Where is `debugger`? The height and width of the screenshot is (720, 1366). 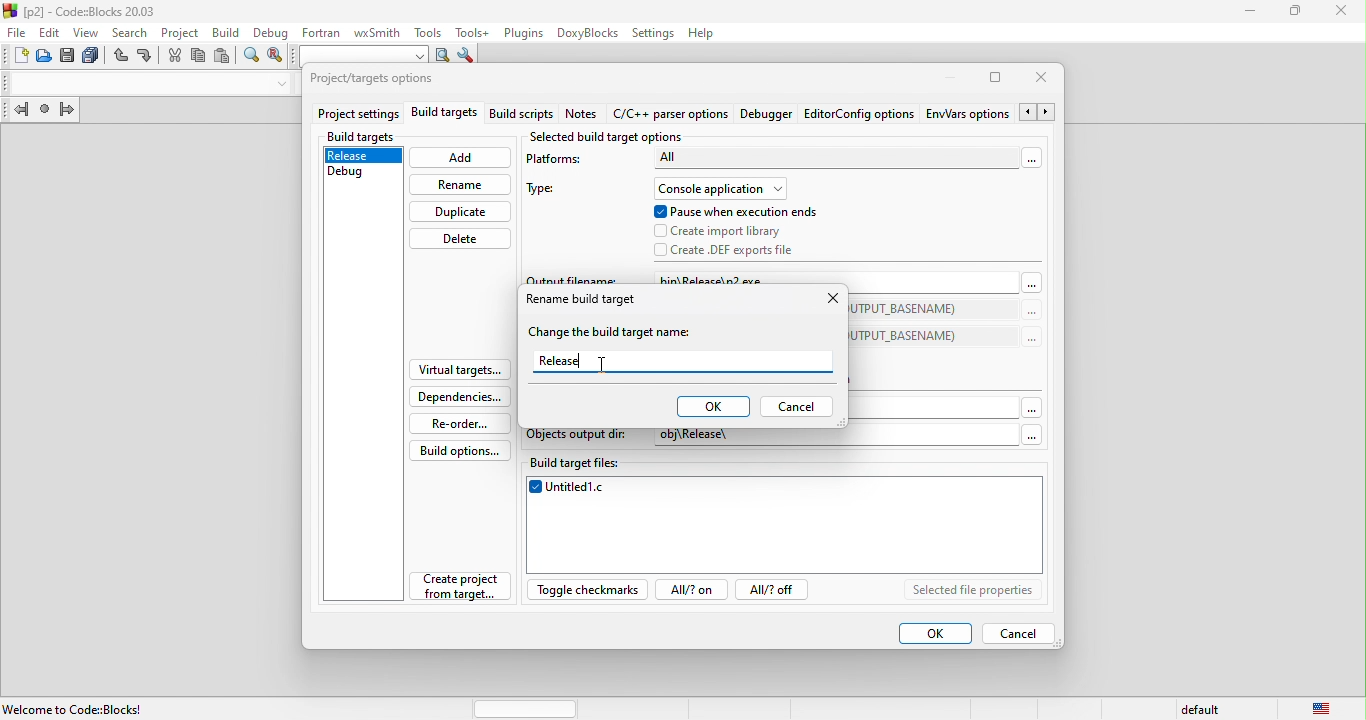 debugger is located at coordinates (769, 115).